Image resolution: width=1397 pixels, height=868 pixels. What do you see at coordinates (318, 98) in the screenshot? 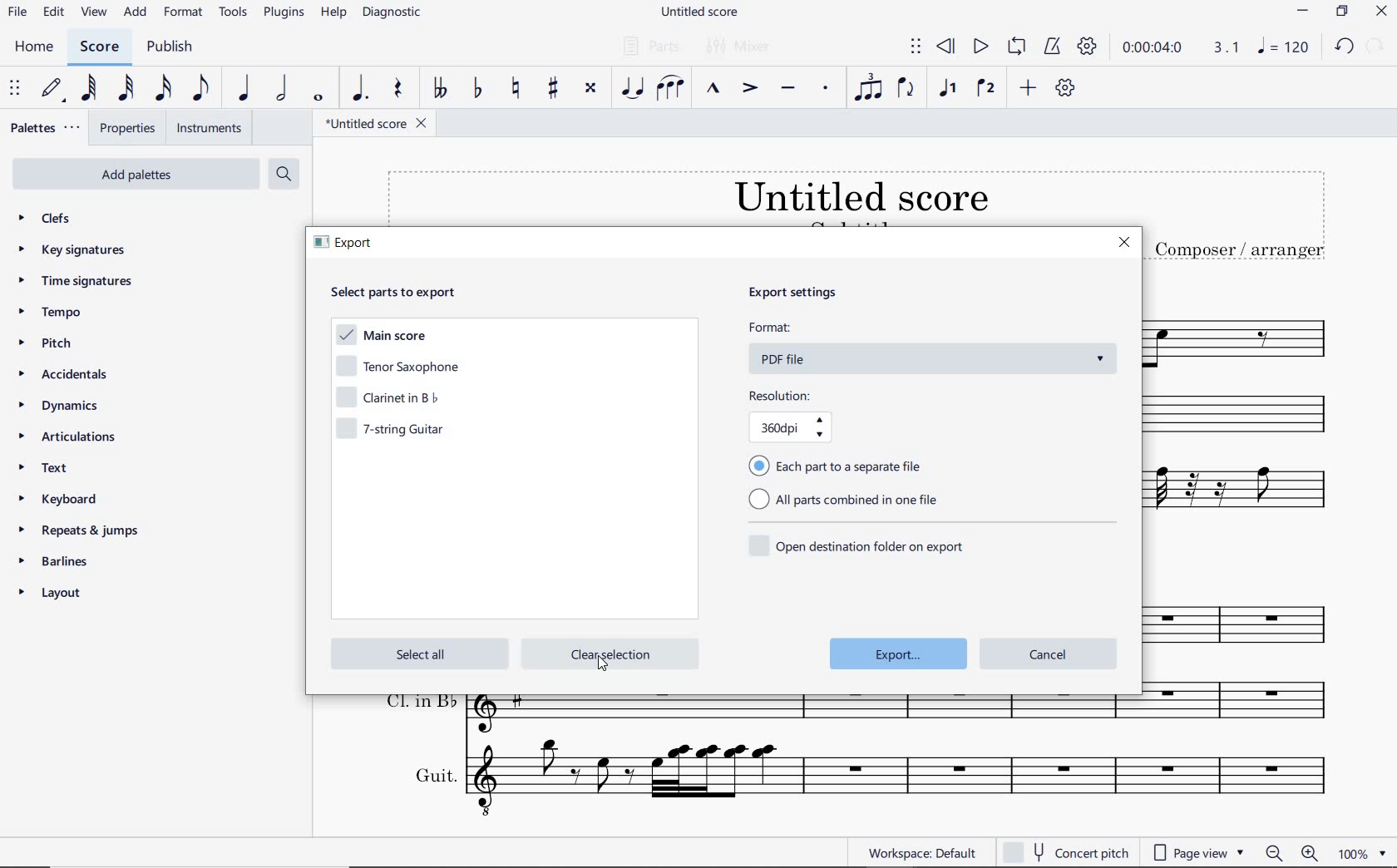
I see `WHOLE NOTE` at bounding box center [318, 98].